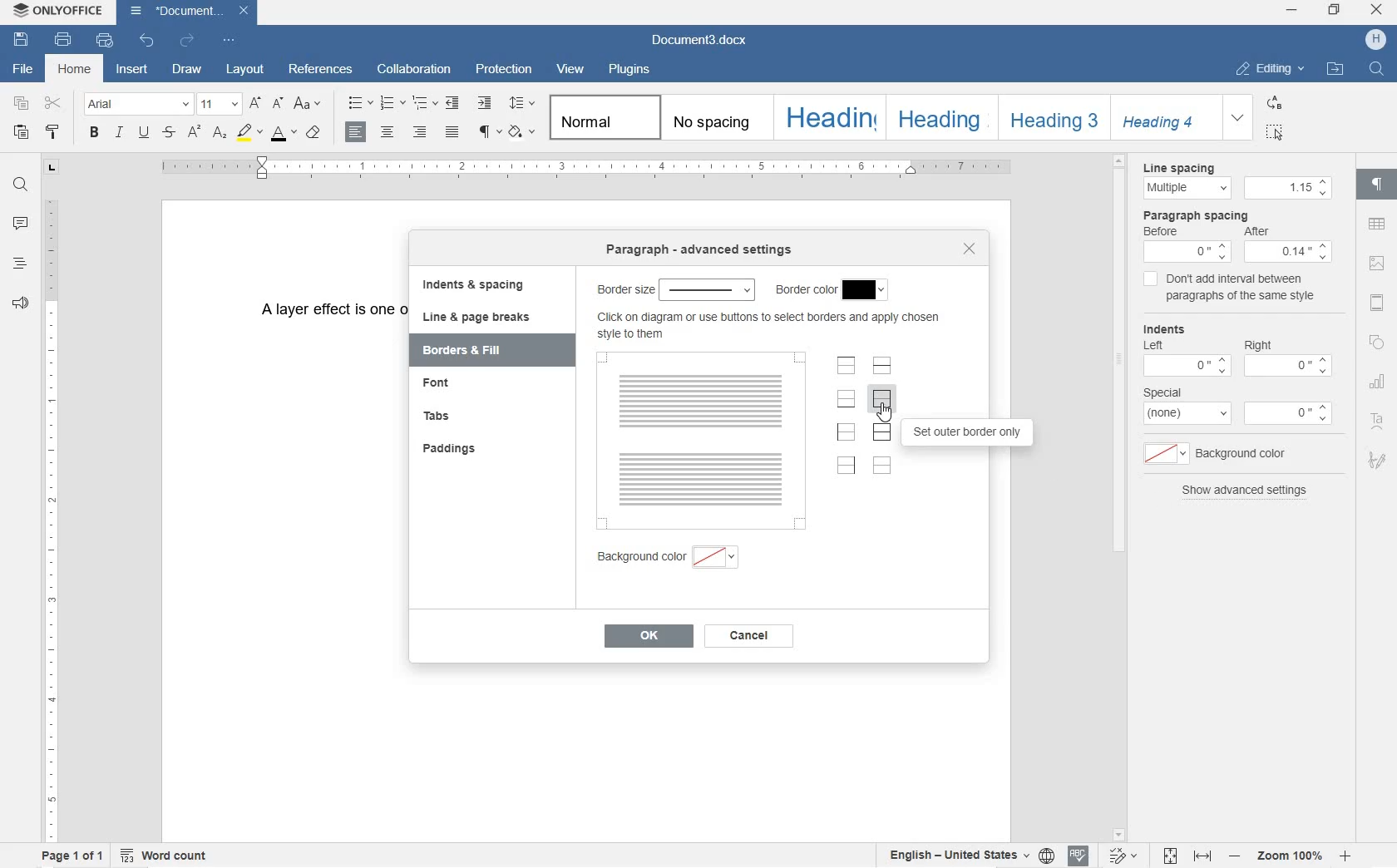 This screenshot has height=868, width=1397. What do you see at coordinates (166, 854) in the screenshot?
I see `WORD COUNT` at bounding box center [166, 854].